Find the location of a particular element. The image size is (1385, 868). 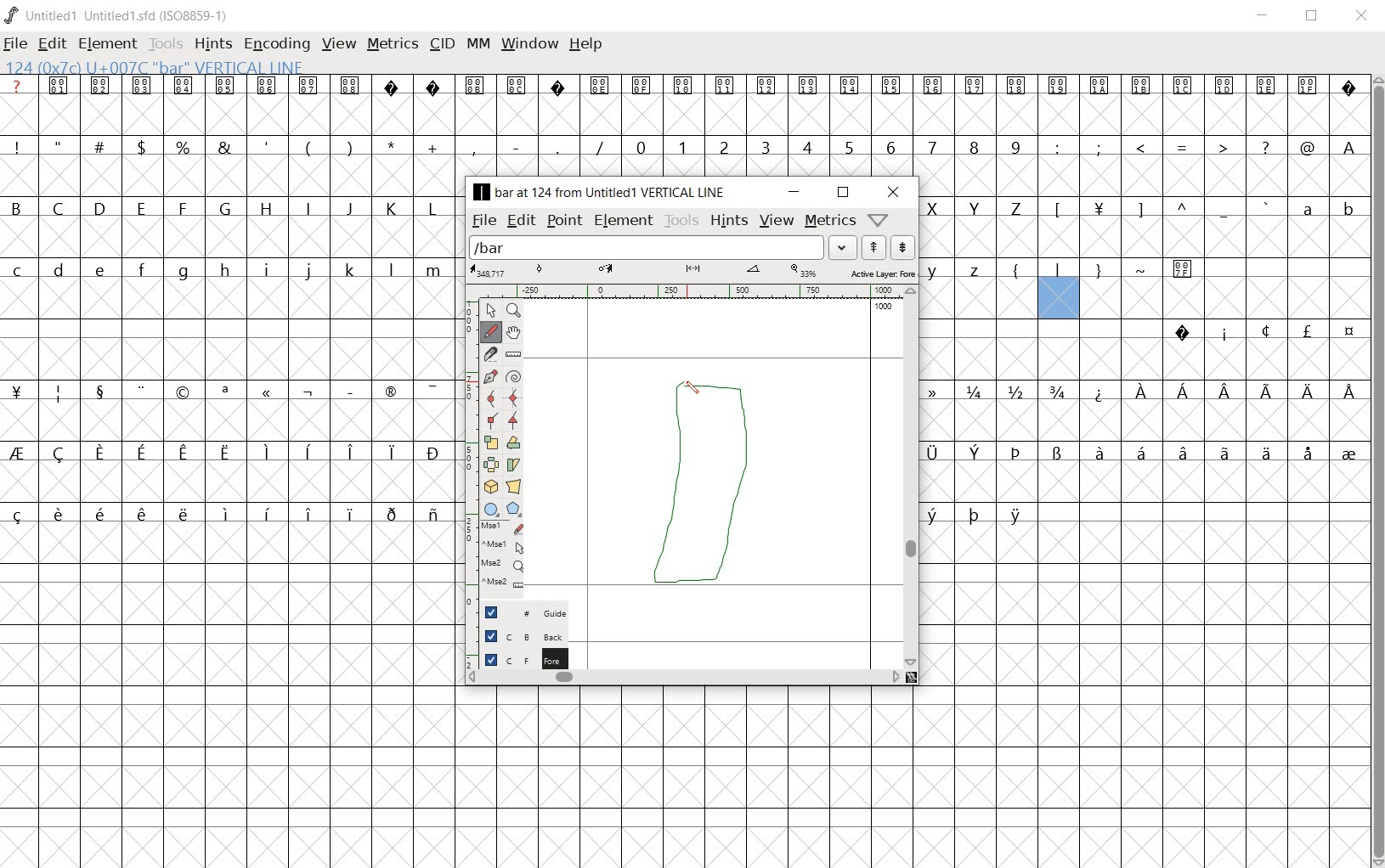

drop down arrow is located at coordinates (840, 246).